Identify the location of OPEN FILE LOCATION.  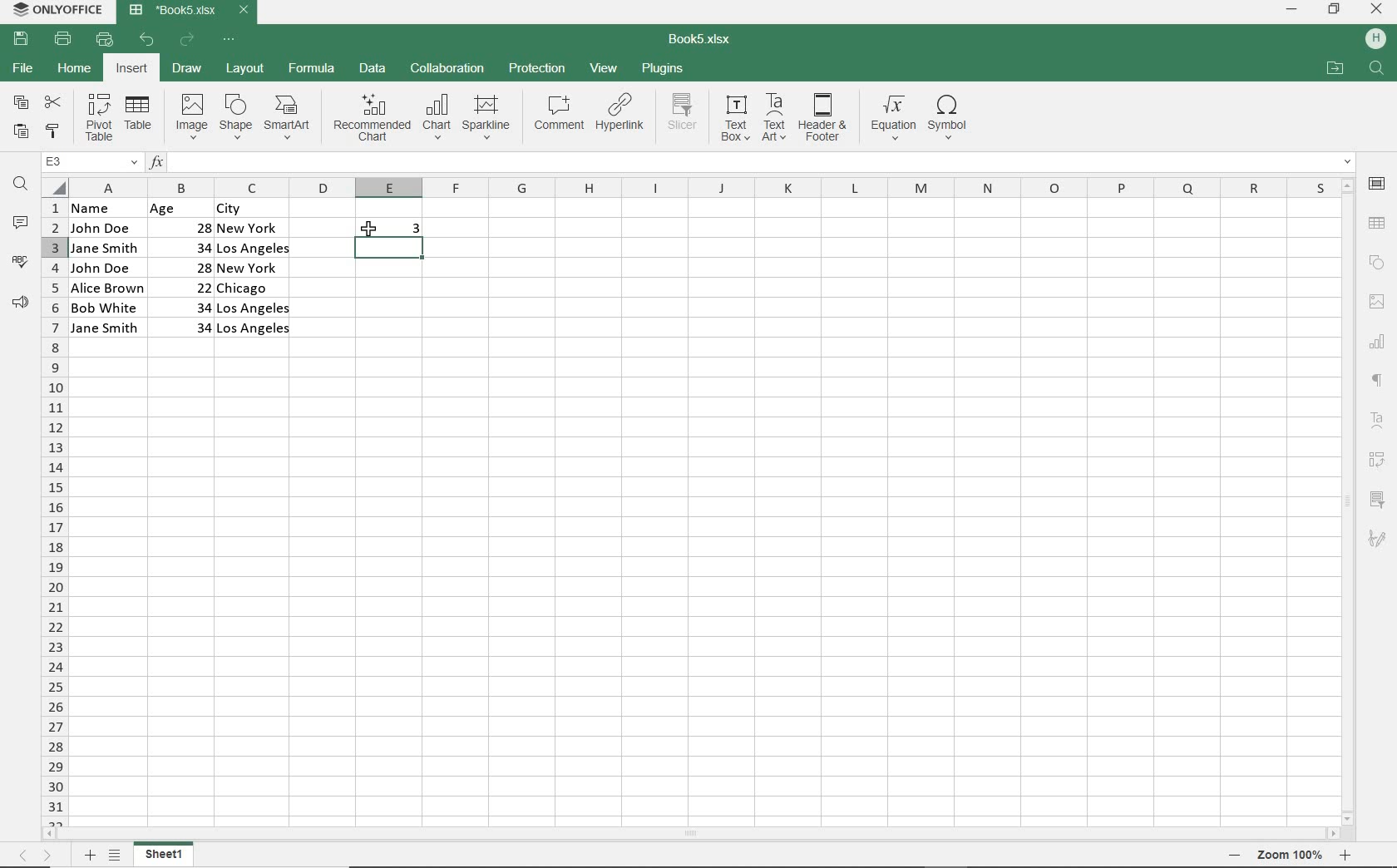
(1334, 69).